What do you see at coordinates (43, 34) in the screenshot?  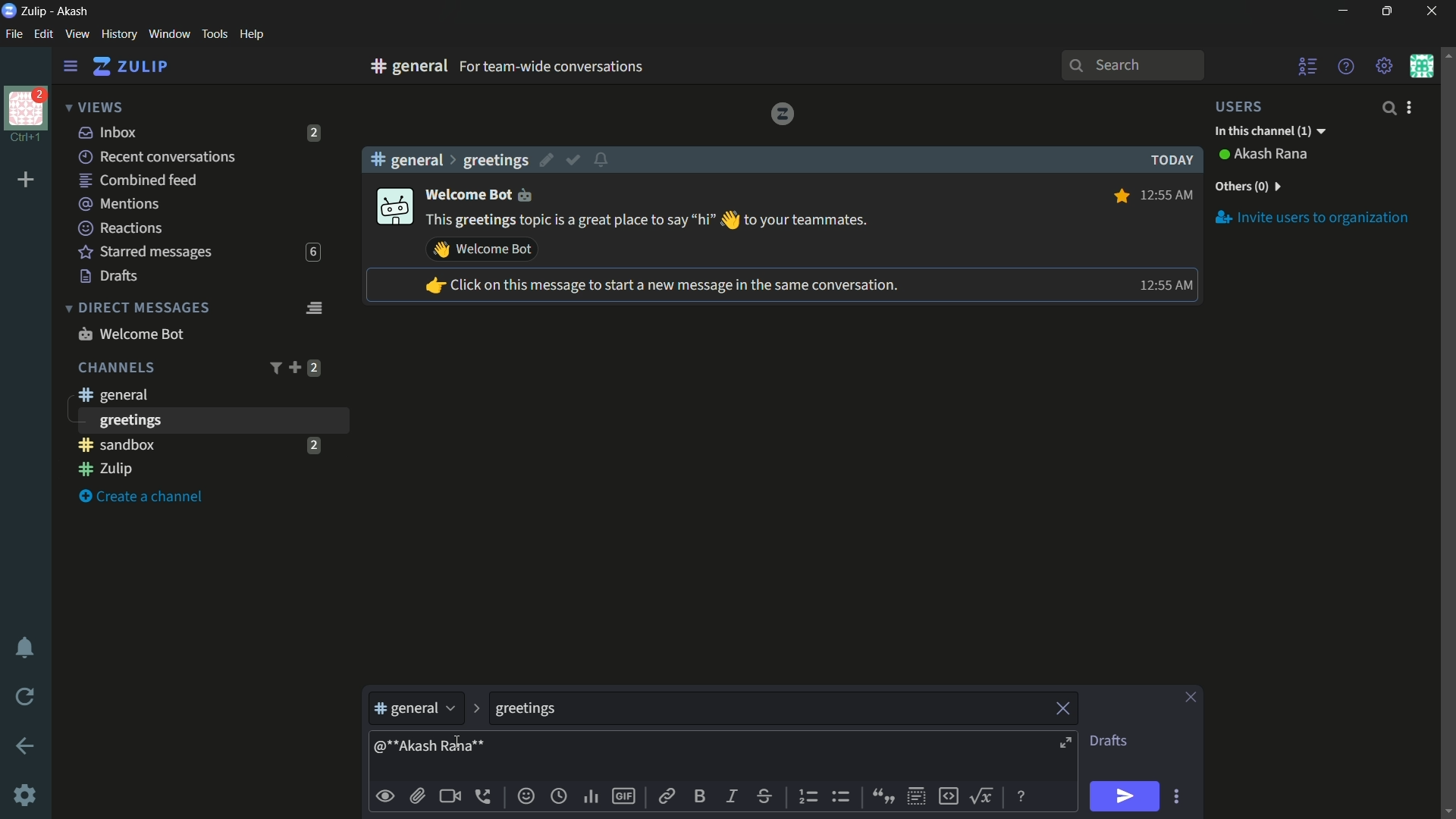 I see `edit menu` at bounding box center [43, 34].